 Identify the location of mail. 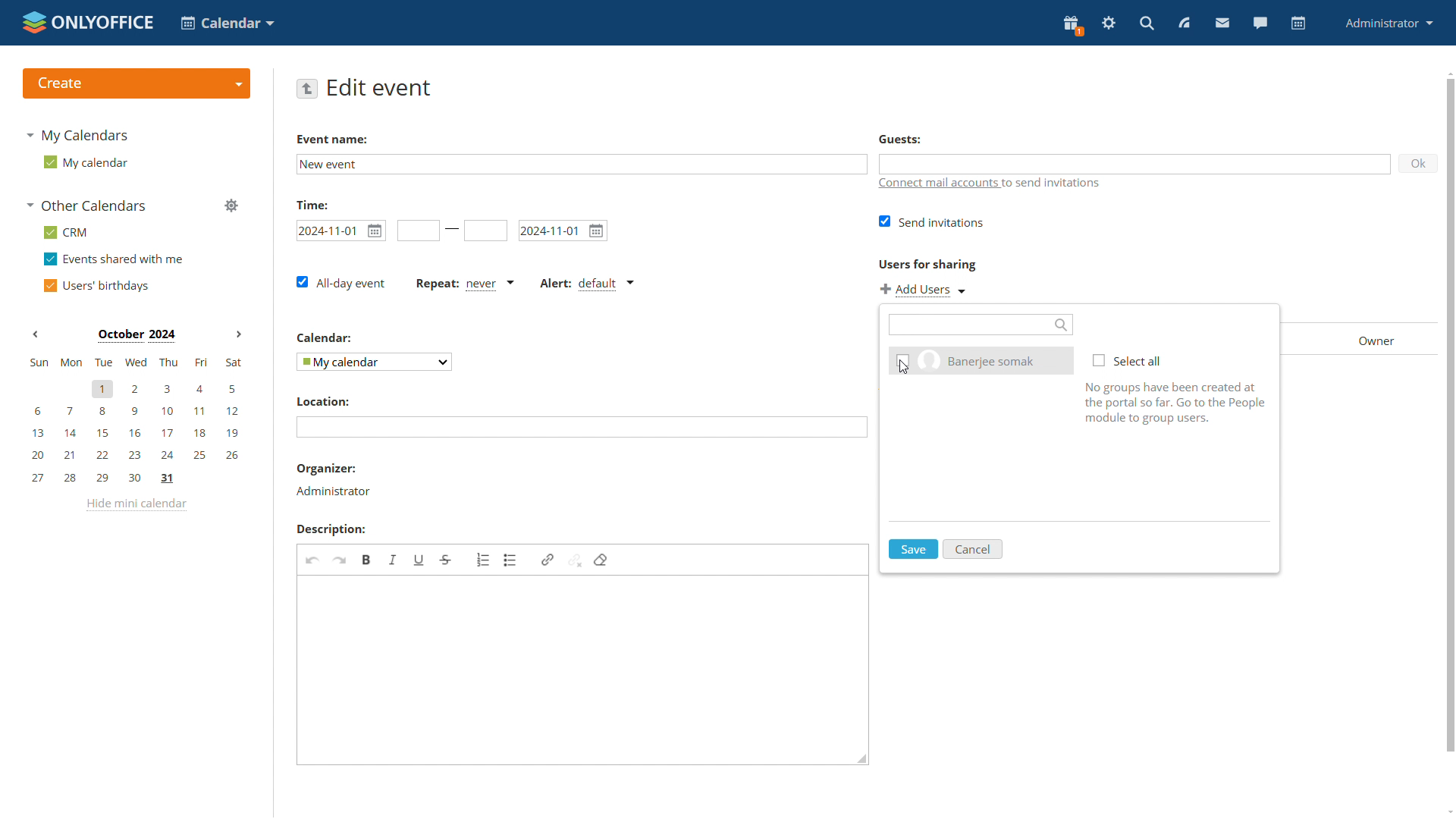
(1221, 23).